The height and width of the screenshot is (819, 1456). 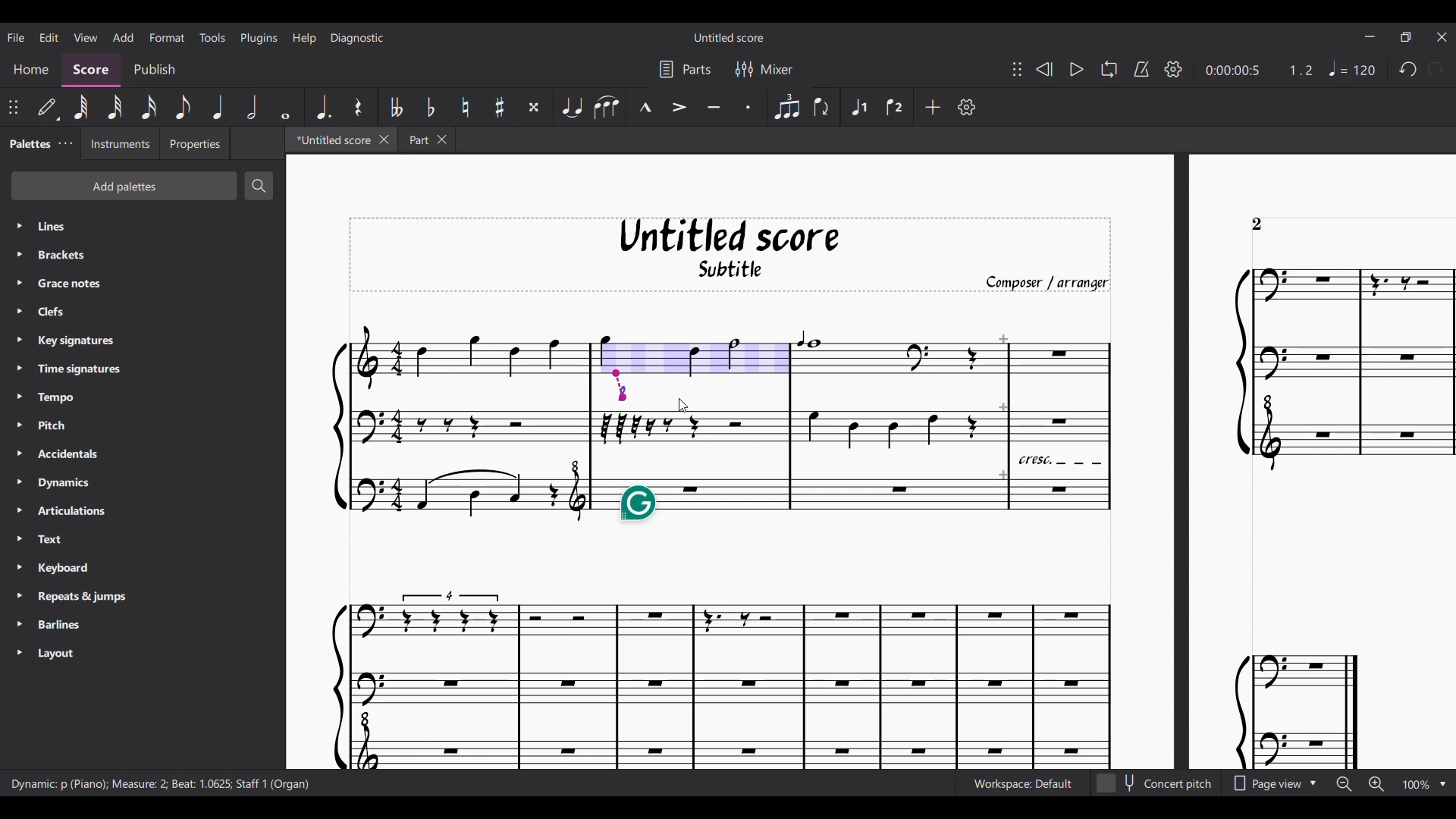 What do you see at coordinates (1442, 37) in the screenshot?
I see `Close interface` at bounding box center [1442, 37].